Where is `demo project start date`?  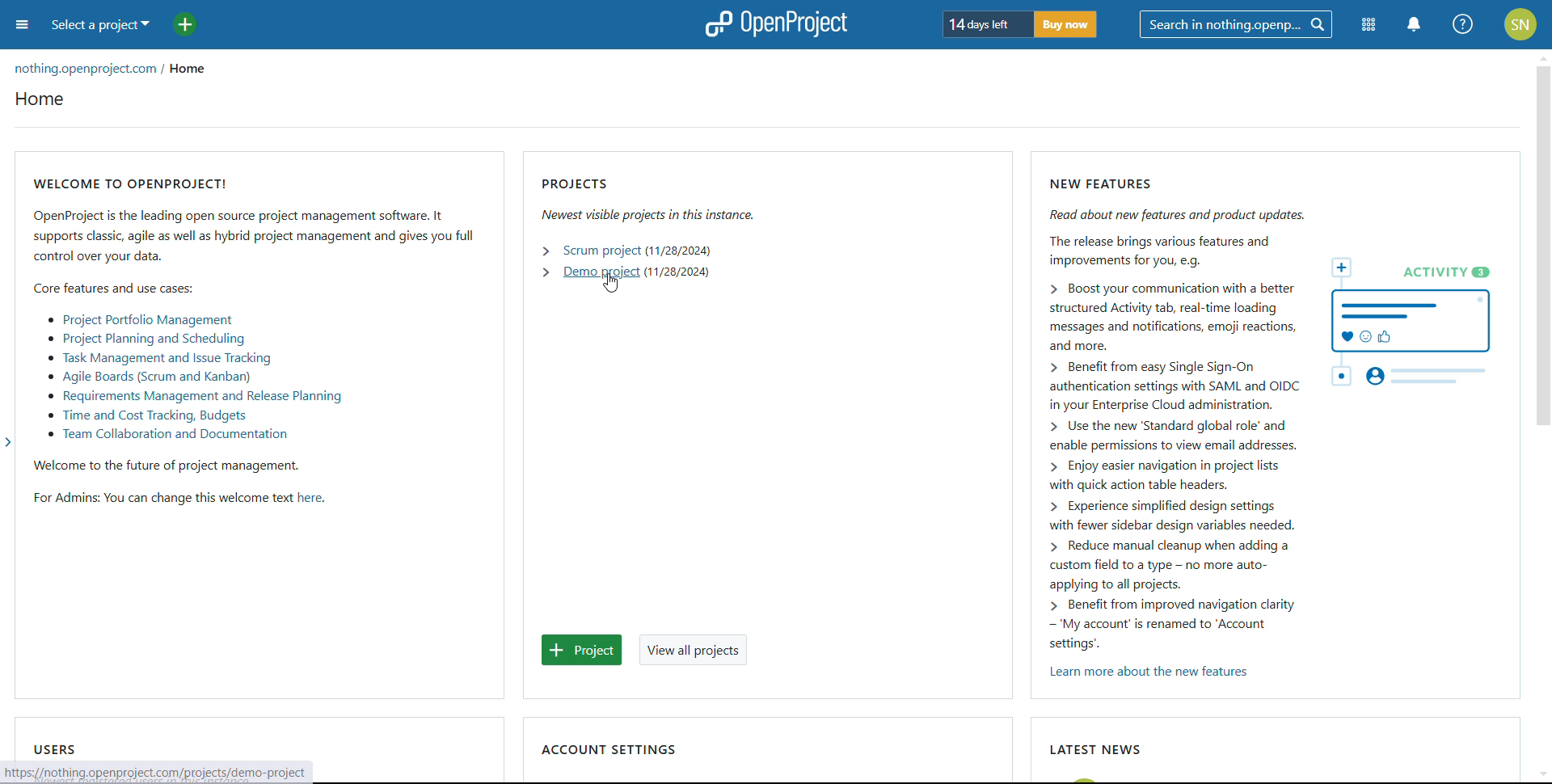
demo project start date is located at coordinates (677, 272).